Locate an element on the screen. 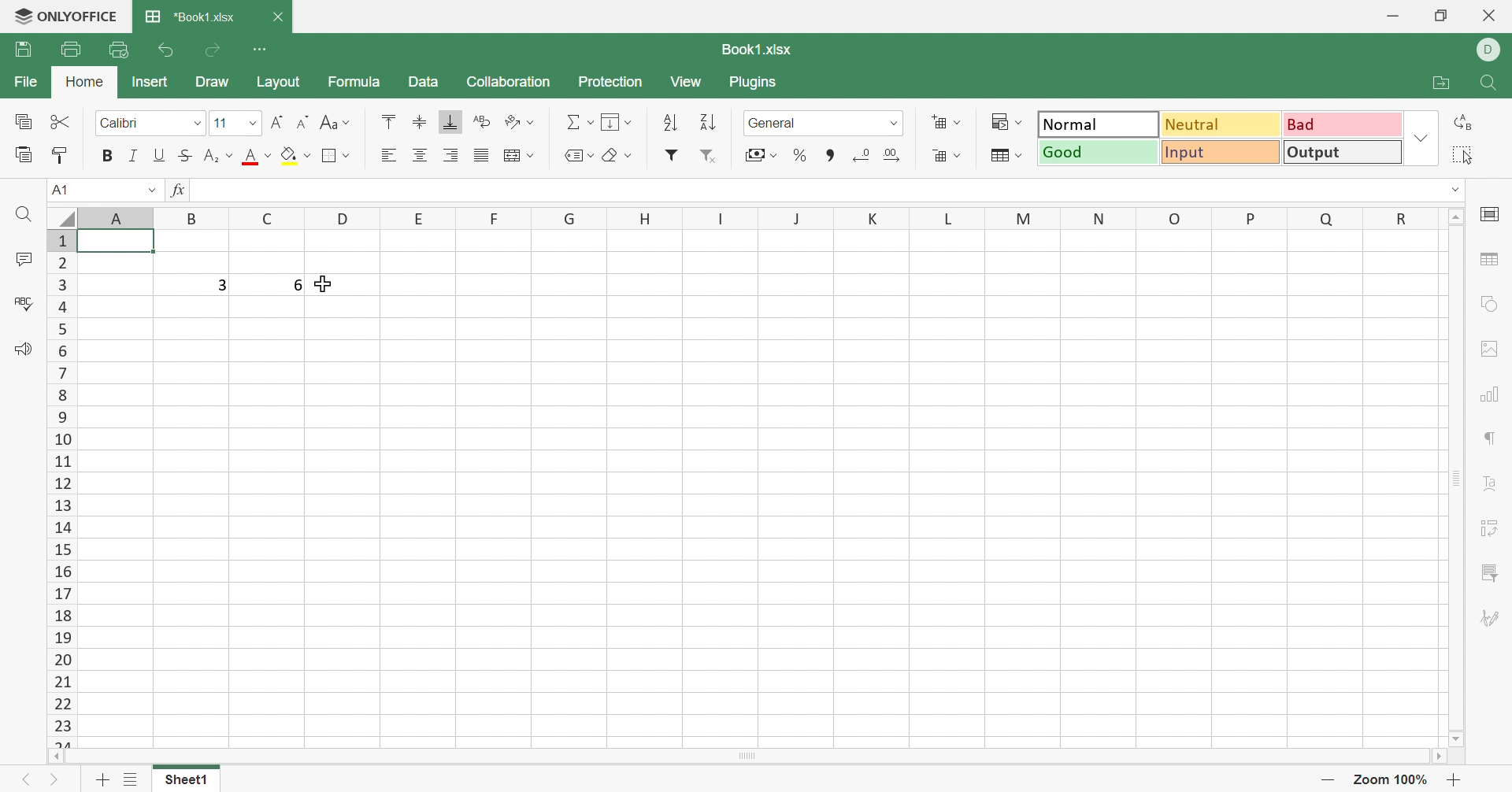 The height and width of the screenshot is (792, 1512). Borders is located at coordinates (335, 156).